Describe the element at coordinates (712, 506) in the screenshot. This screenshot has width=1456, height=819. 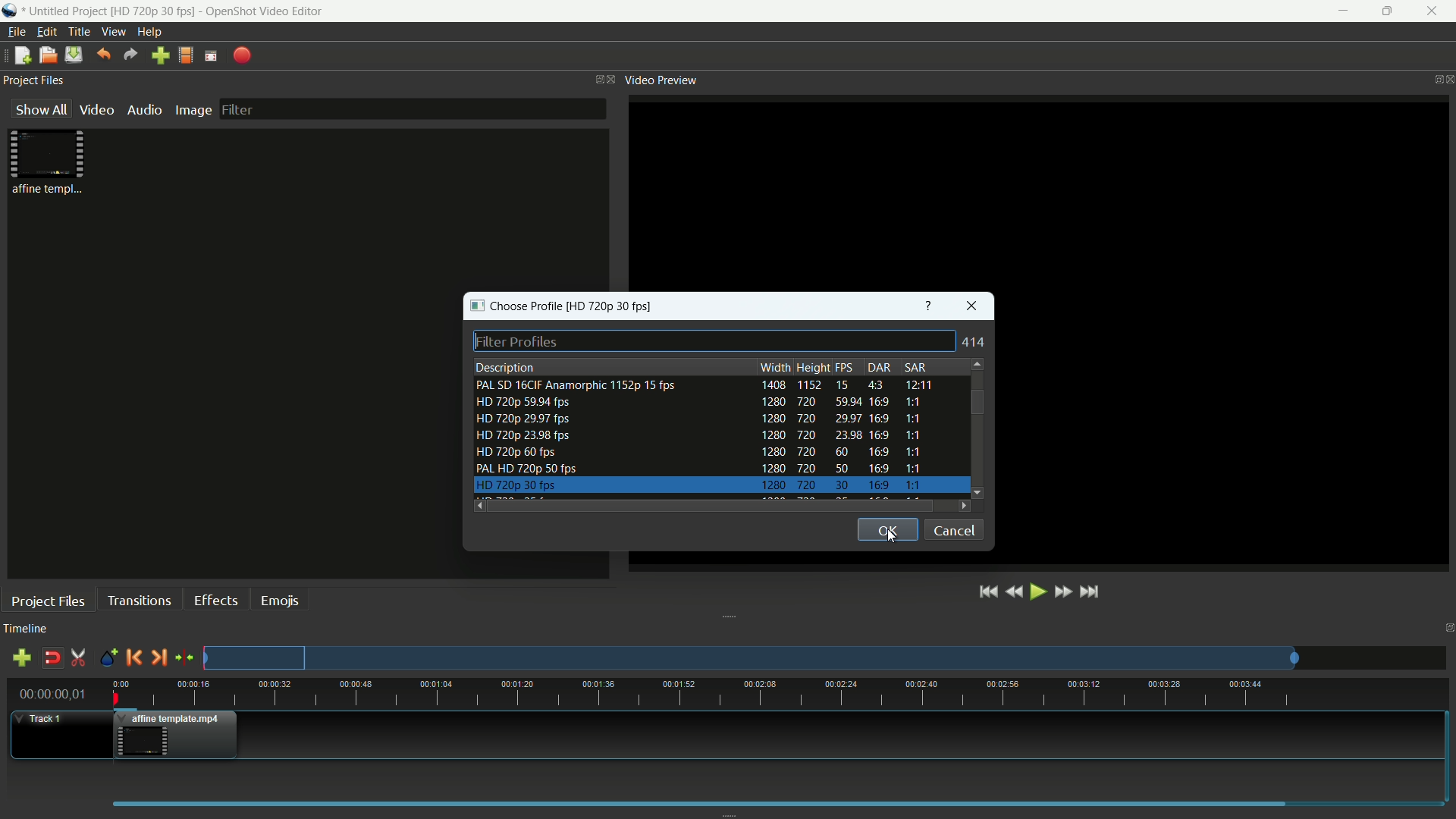
I see `scroll bar` at that location.